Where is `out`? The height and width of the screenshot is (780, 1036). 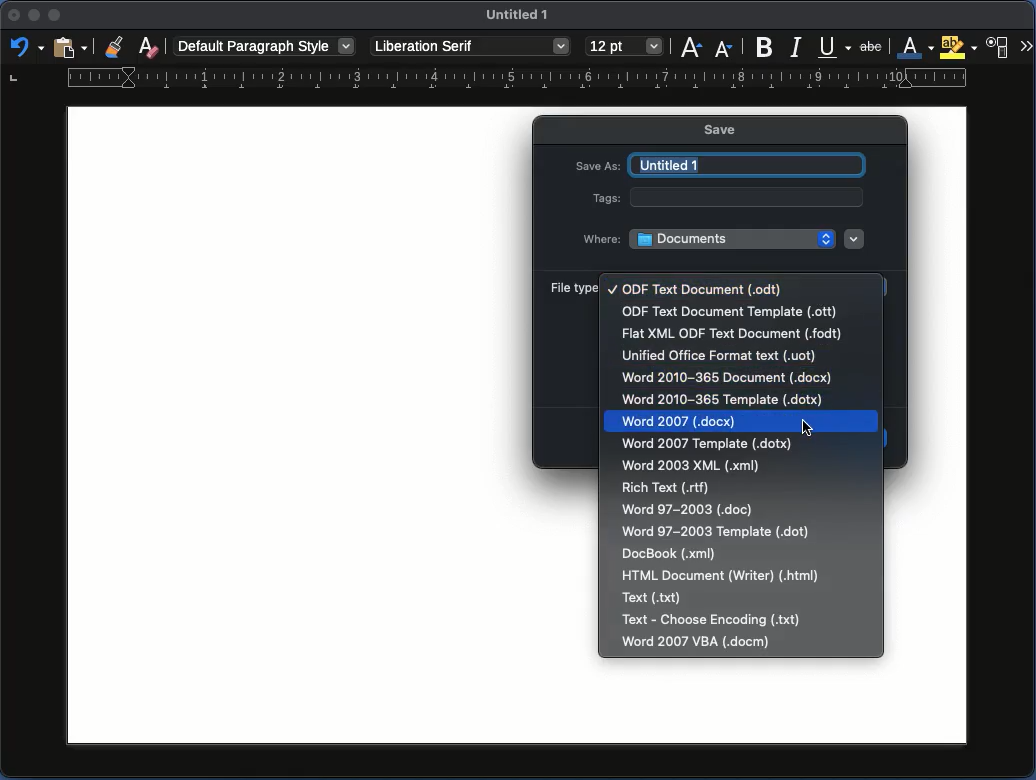 out is located at coordinates (696, 290).